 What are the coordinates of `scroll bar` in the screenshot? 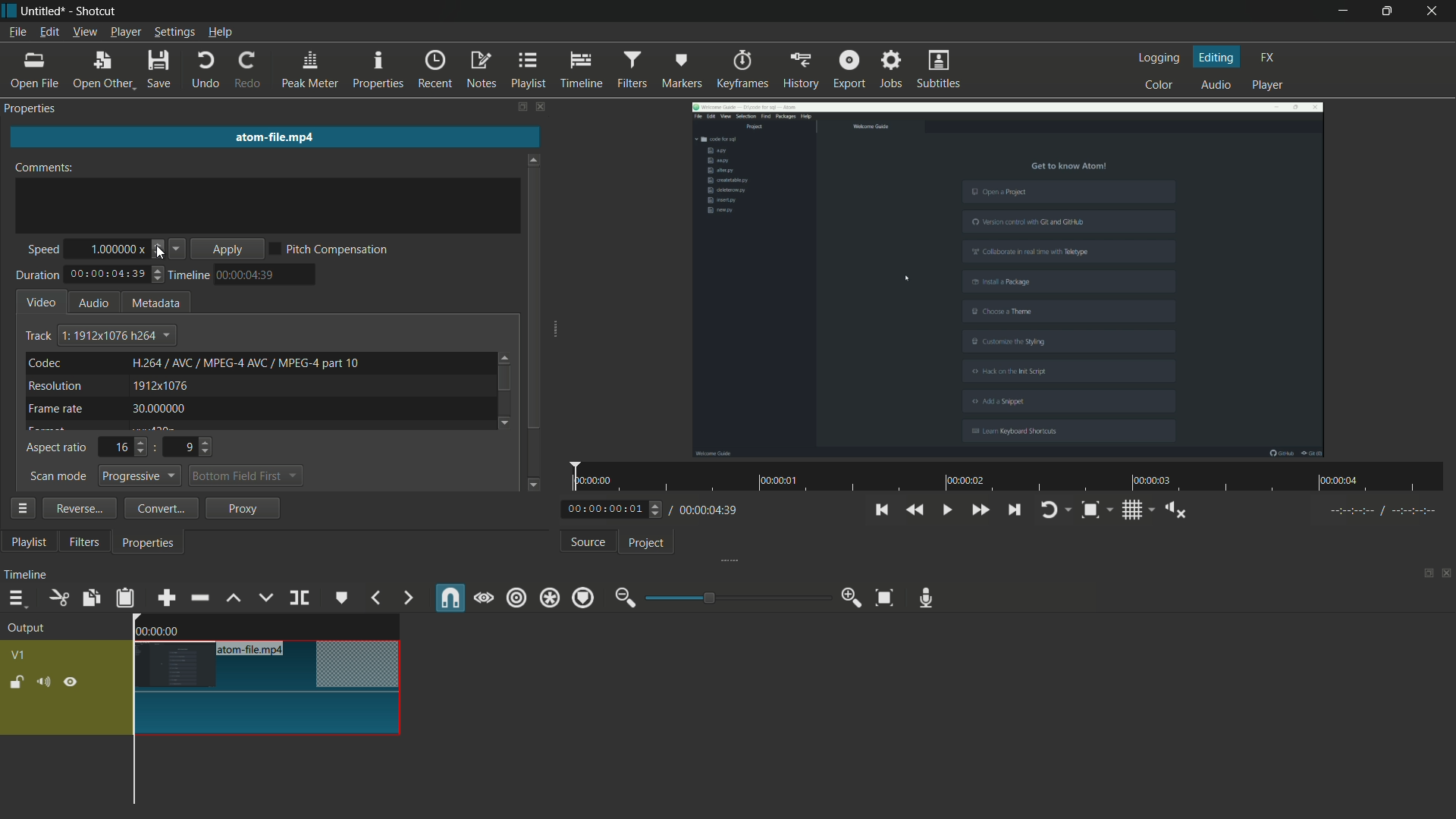 It's located at (504, 379).